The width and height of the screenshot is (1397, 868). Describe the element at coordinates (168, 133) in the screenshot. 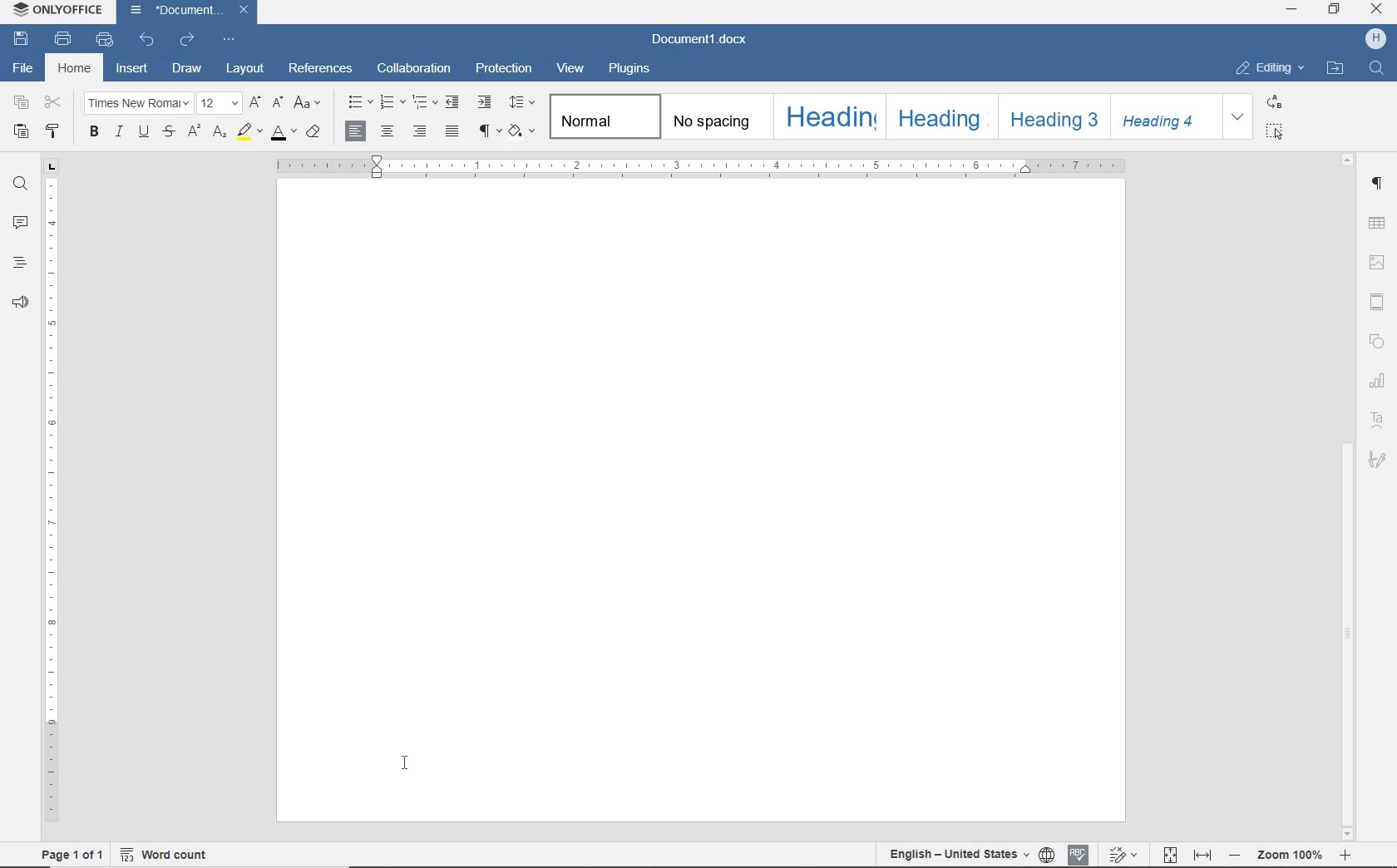

I see `STRIKETHROUGH` at that location.